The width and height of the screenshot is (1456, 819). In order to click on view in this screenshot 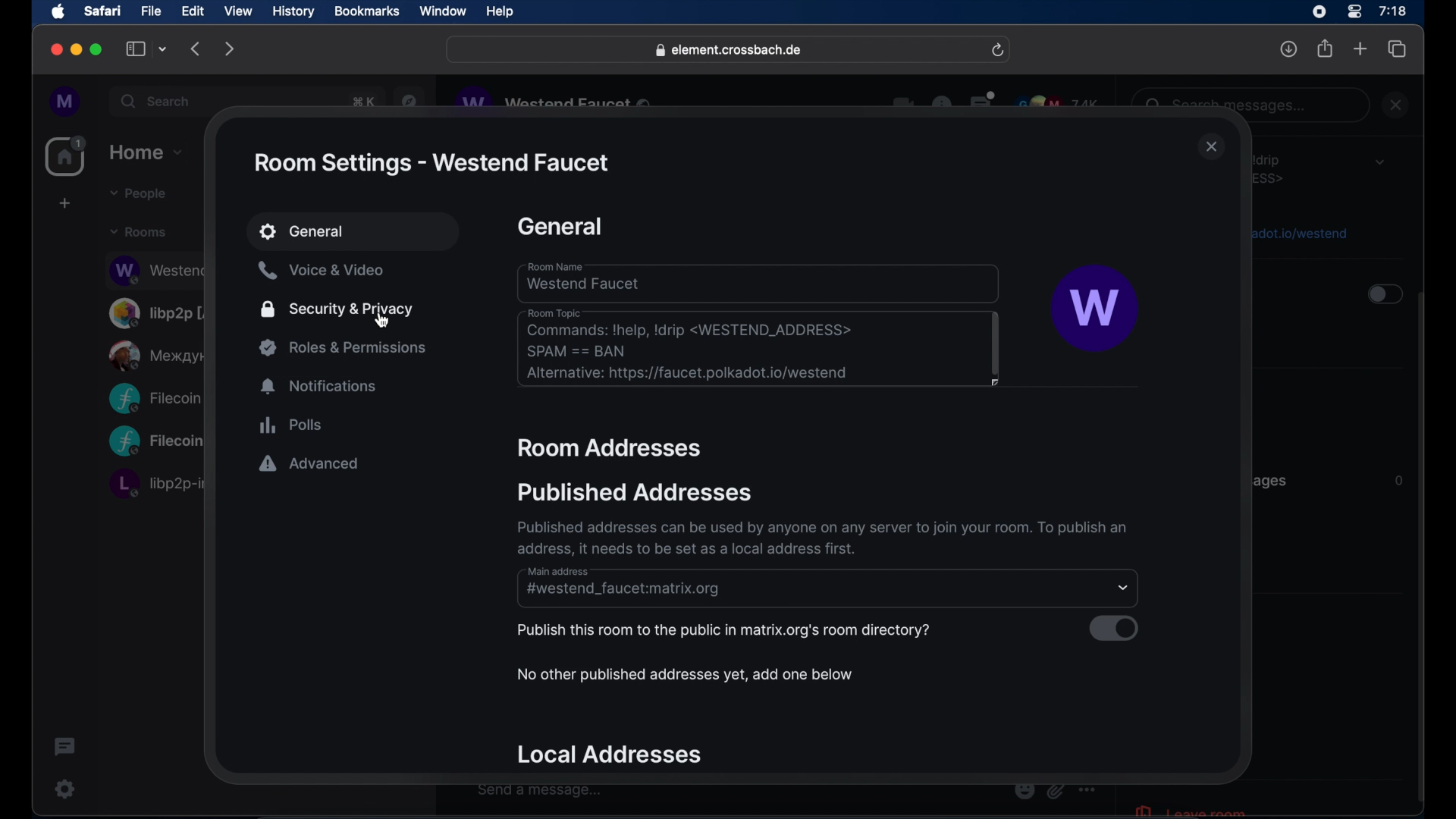, I will do `click(237, 11)`.